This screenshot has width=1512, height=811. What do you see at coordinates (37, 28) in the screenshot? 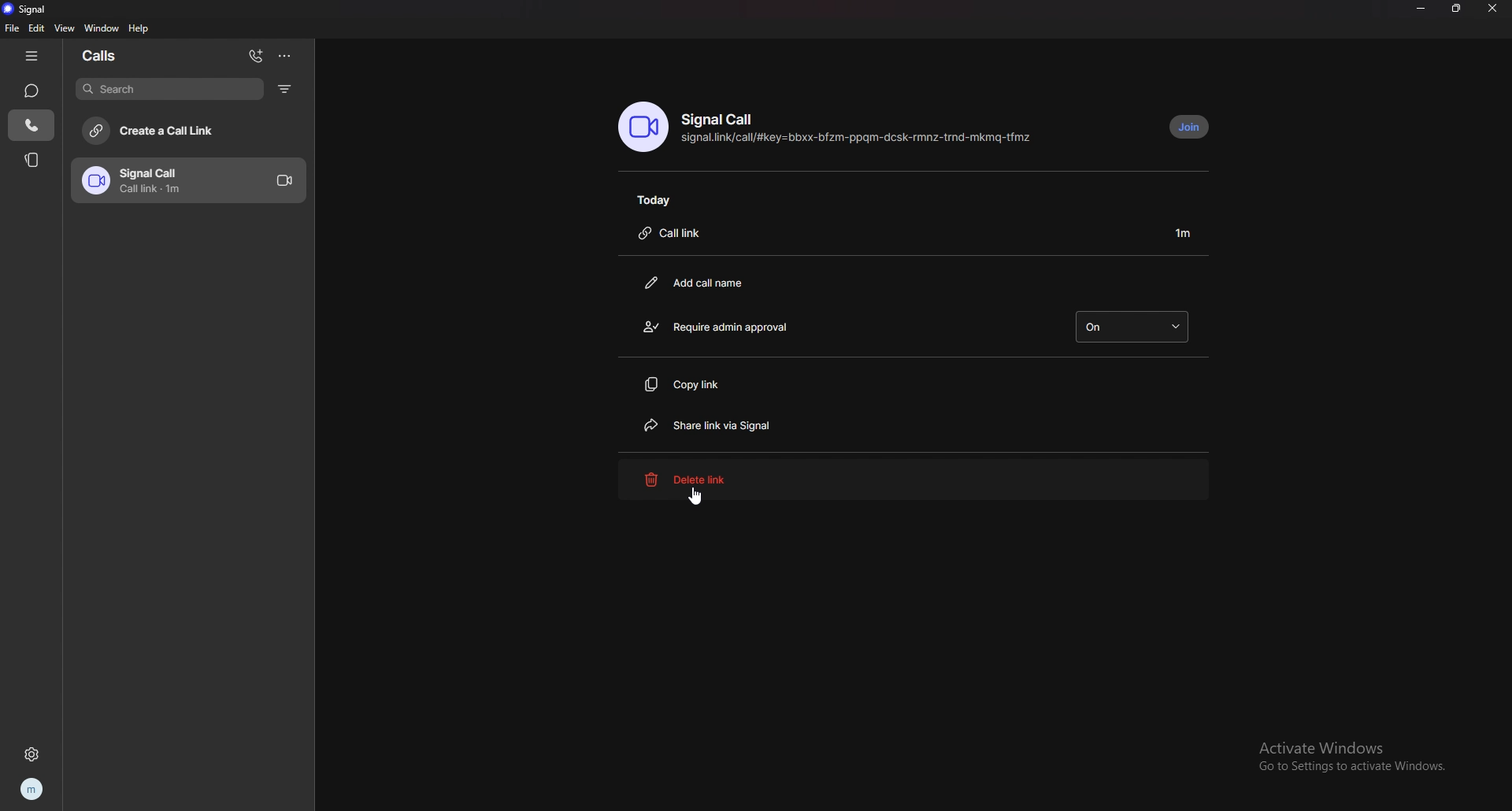
I see `edit` at bounding box center [37, 28].